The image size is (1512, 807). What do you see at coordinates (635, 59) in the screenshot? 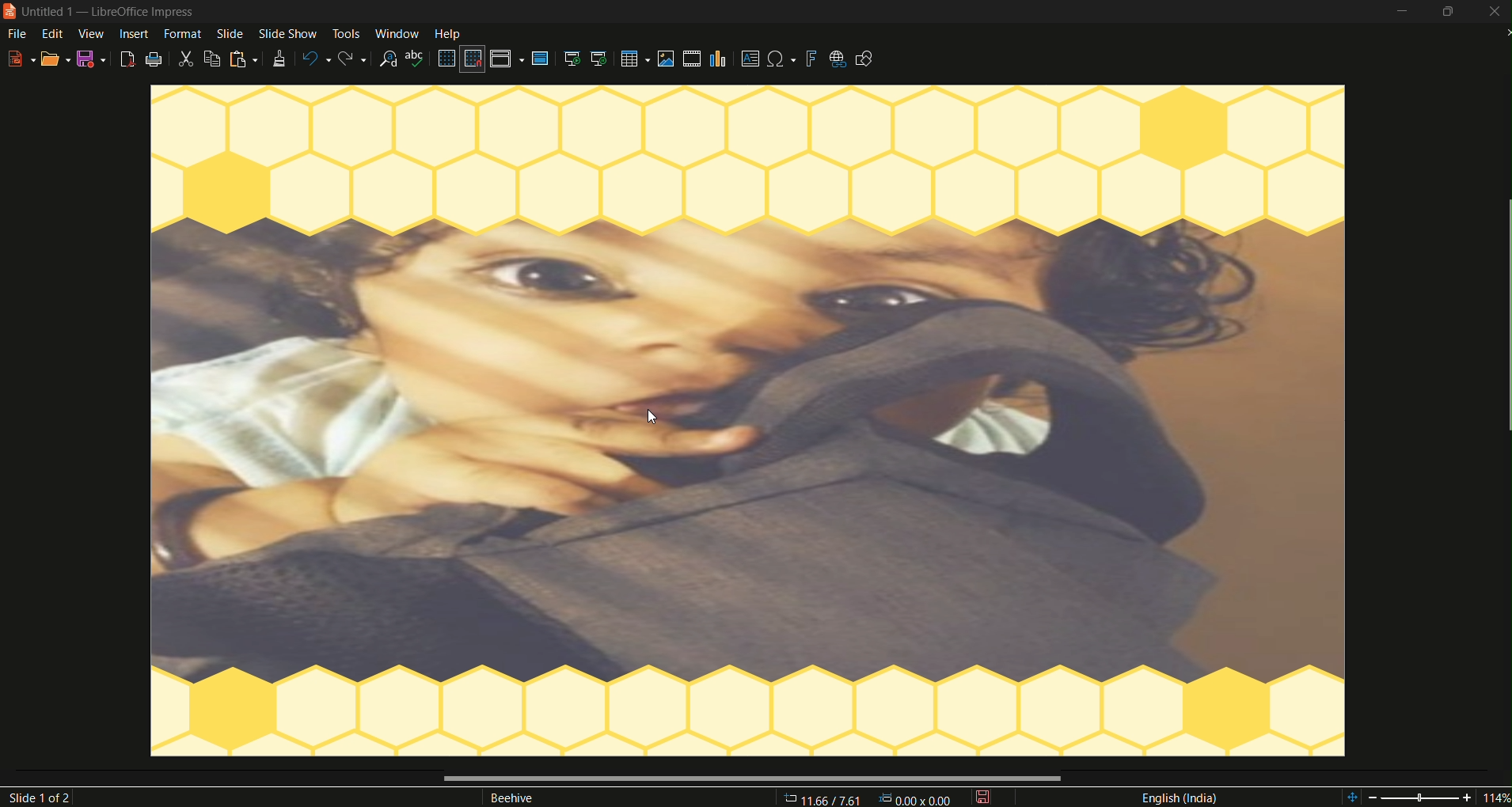
I see `table` at bounding box center [635, 59].